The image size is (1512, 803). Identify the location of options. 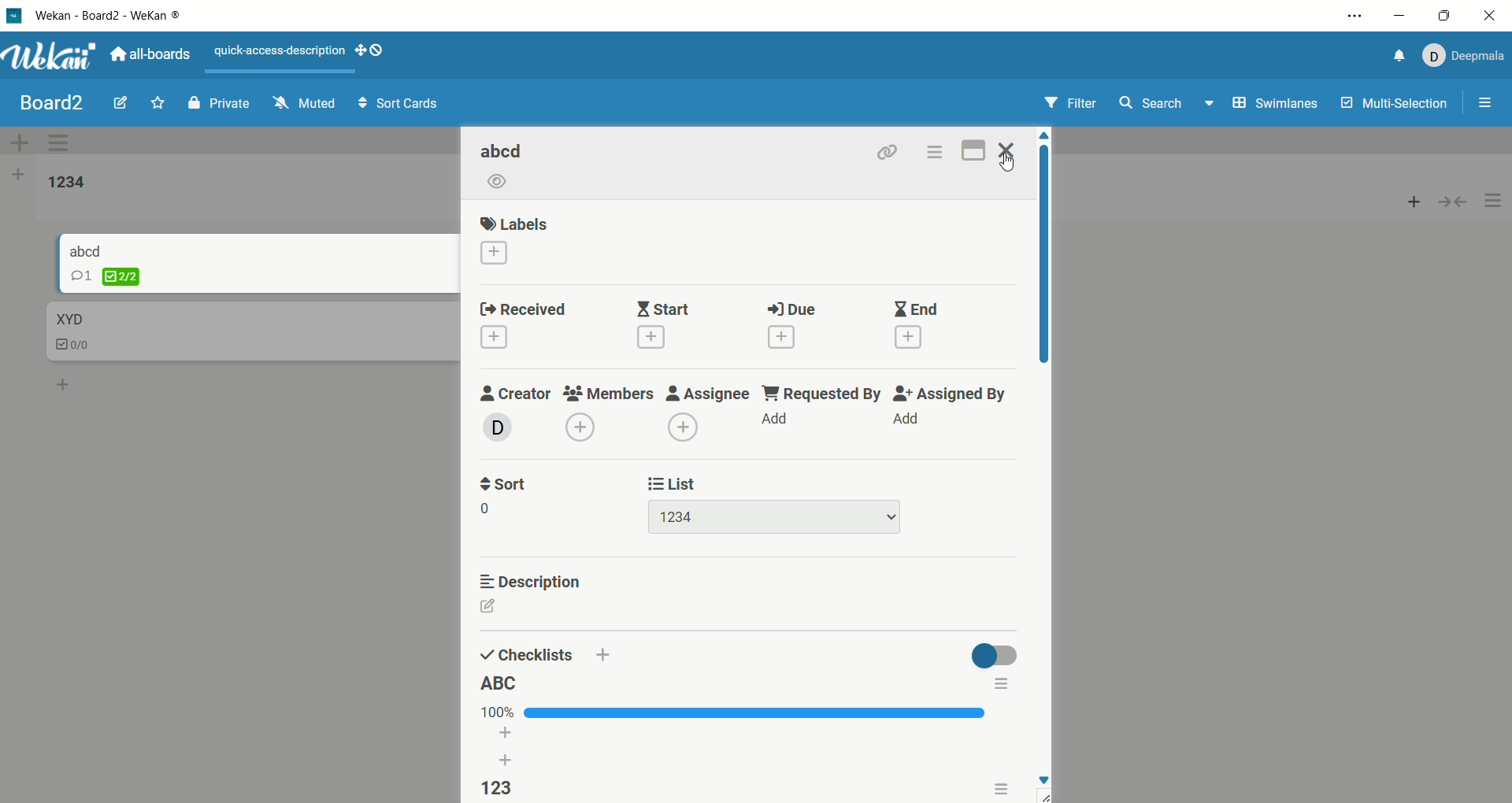
(1494, 202).